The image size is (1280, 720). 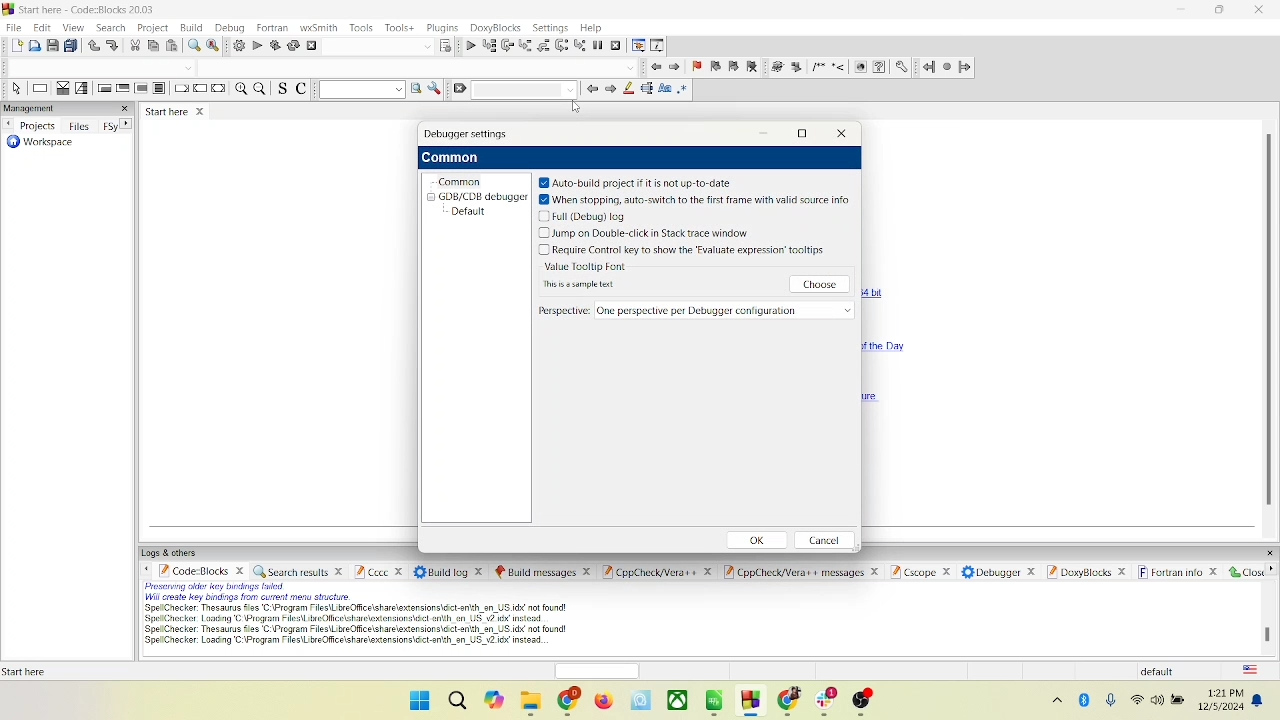 I want to click on debug, so click(x=467, y=46).